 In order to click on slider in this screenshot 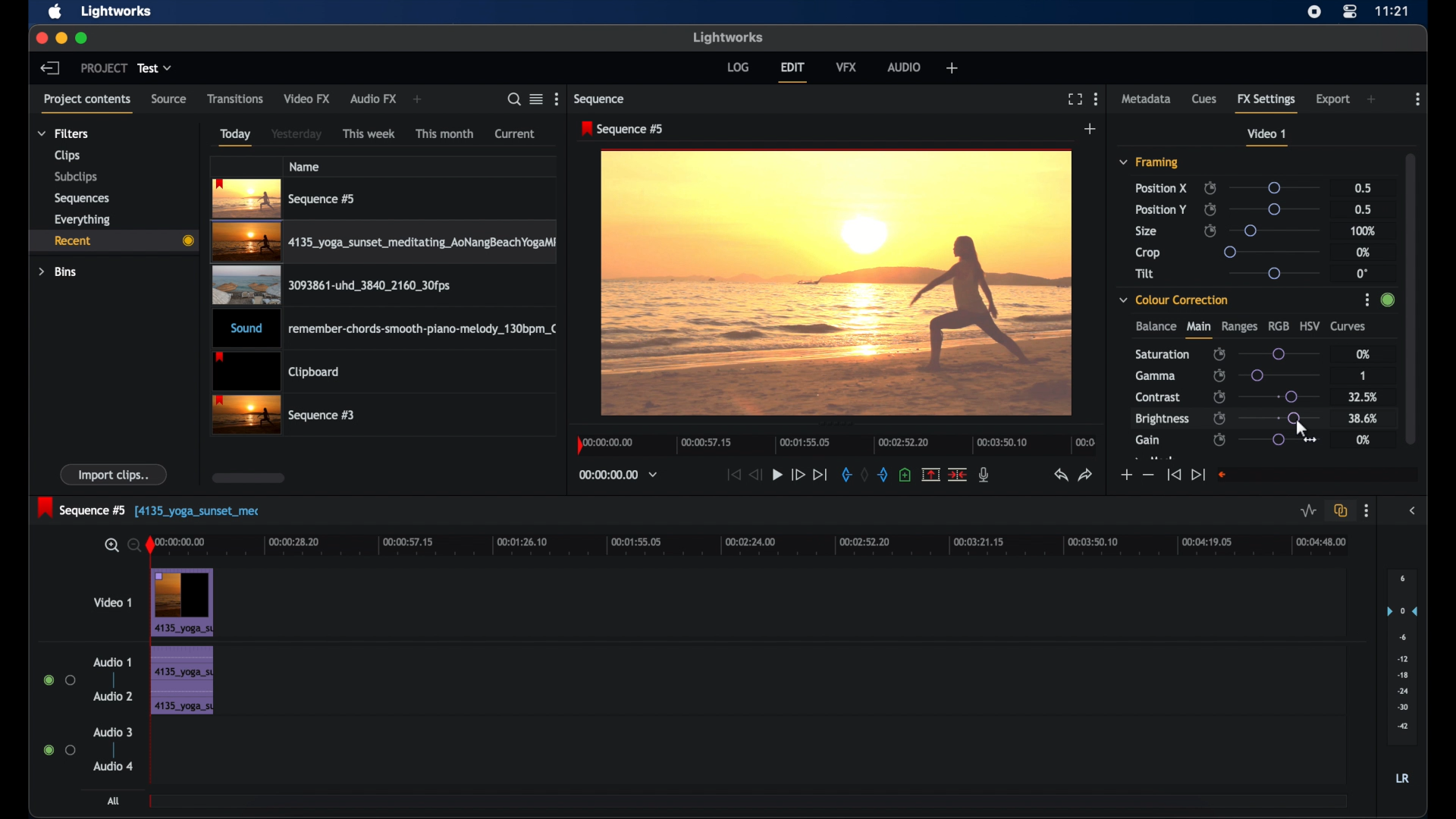, I will do `click(1269, 252)`.